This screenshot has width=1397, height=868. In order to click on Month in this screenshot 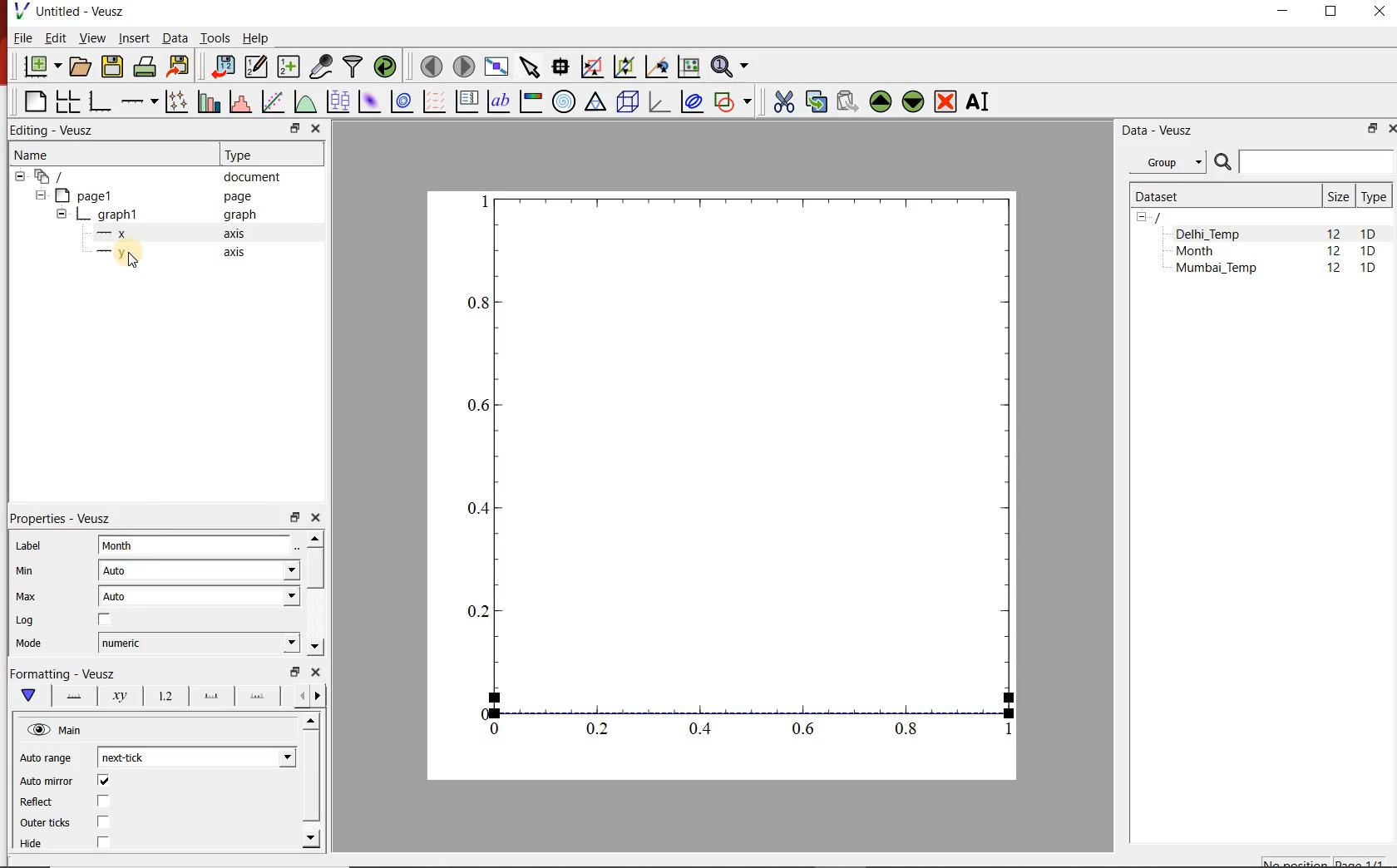, I will do `click(200, 546)`.